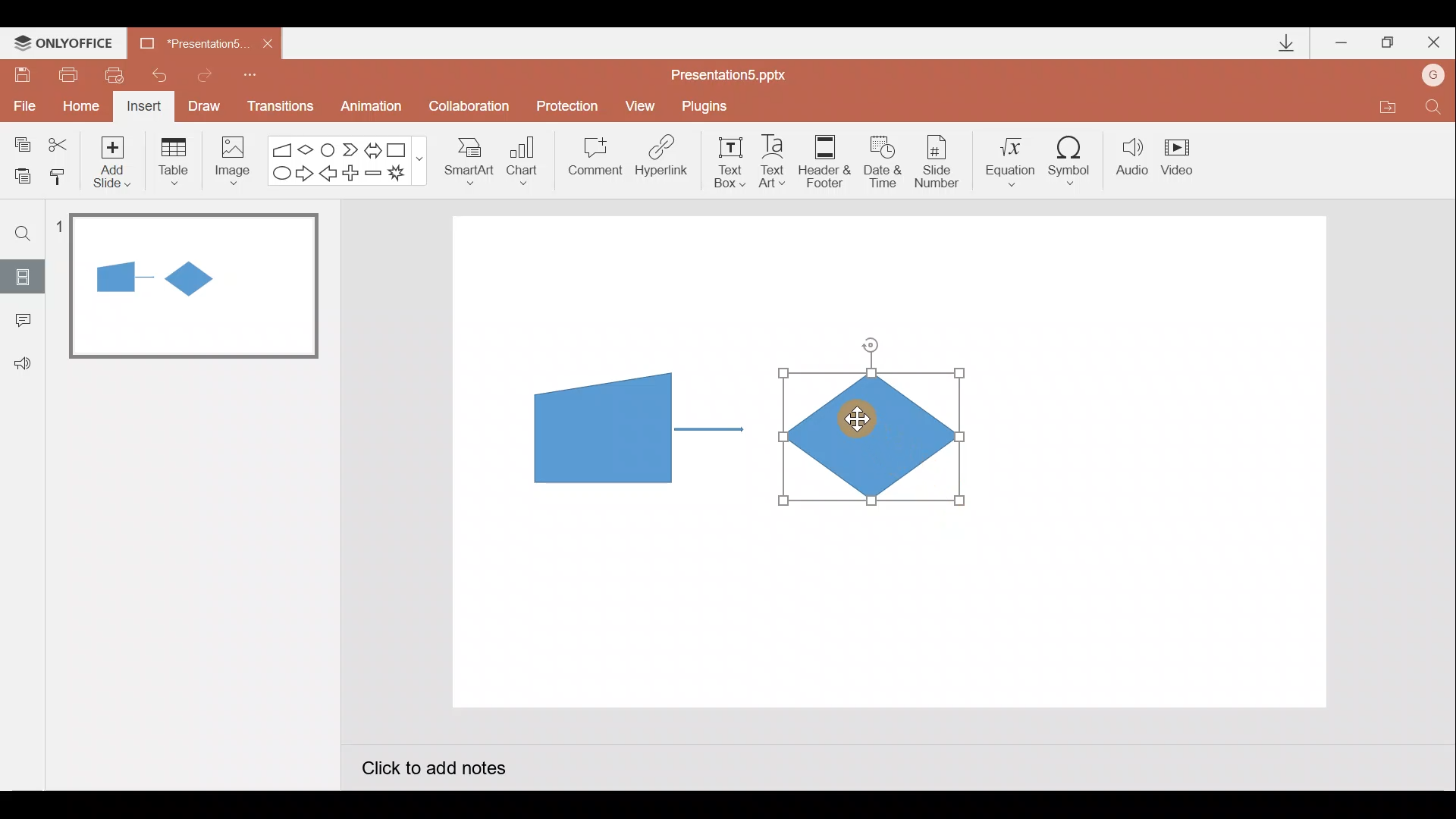 The height and width of the screenshot is (819, 1456). Describe the element at coordinates (329, 175) in the screenshot. I see `Left arrow` at that location.